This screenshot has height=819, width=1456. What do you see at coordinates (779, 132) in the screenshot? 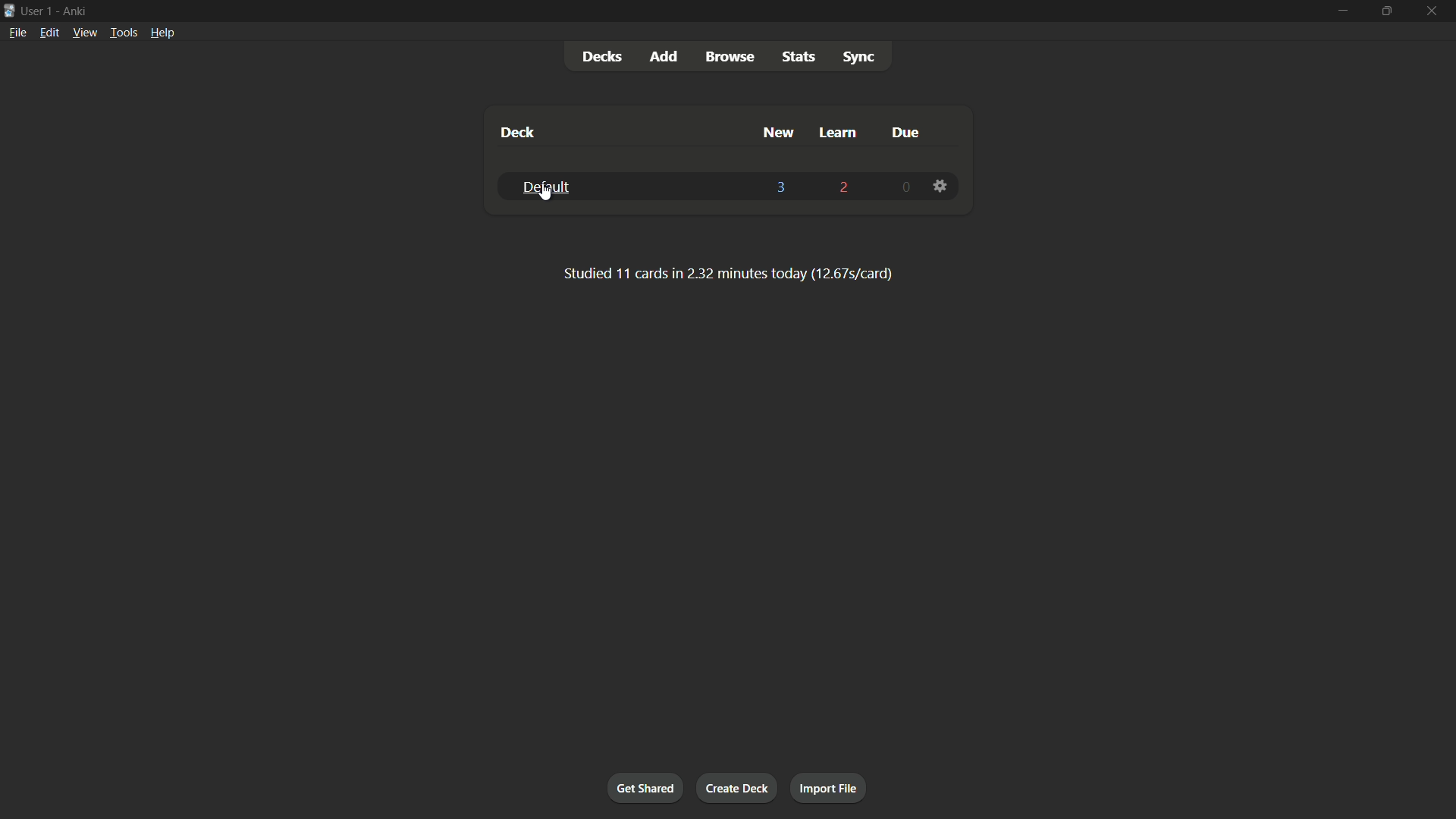
I see `new` at bounding box center [779, 132].